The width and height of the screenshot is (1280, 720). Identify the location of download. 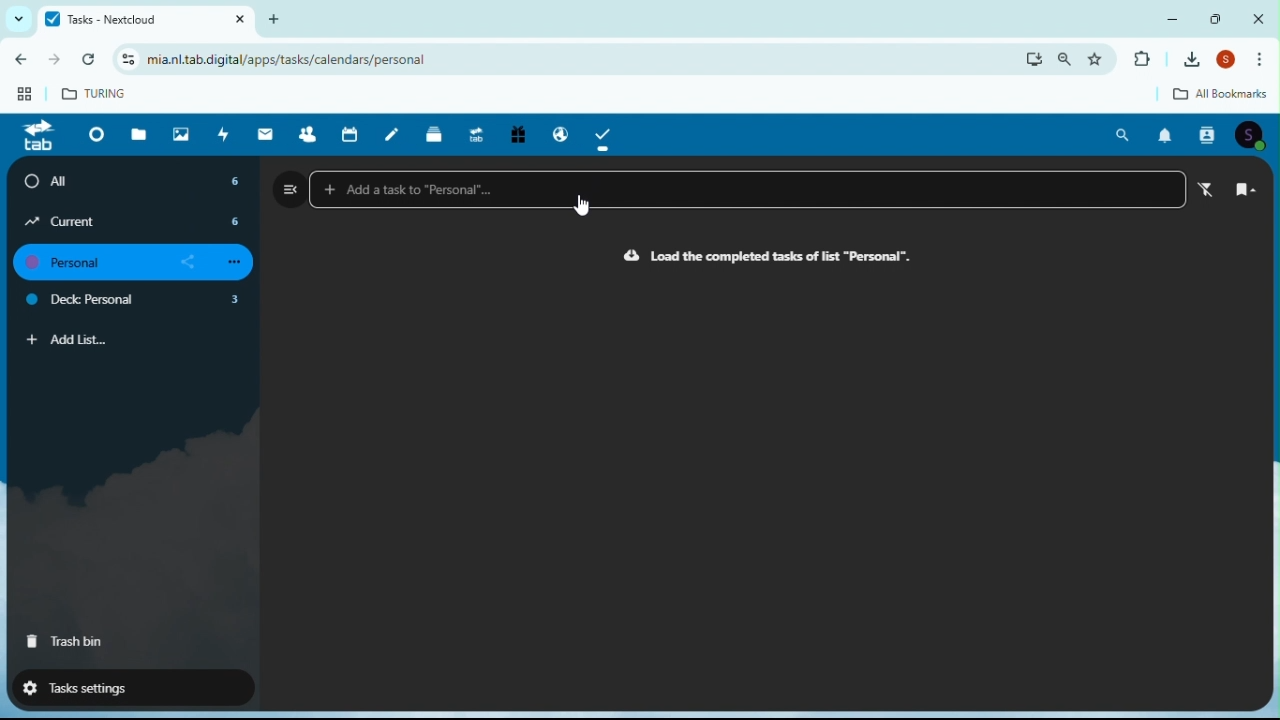
(1034, 59).